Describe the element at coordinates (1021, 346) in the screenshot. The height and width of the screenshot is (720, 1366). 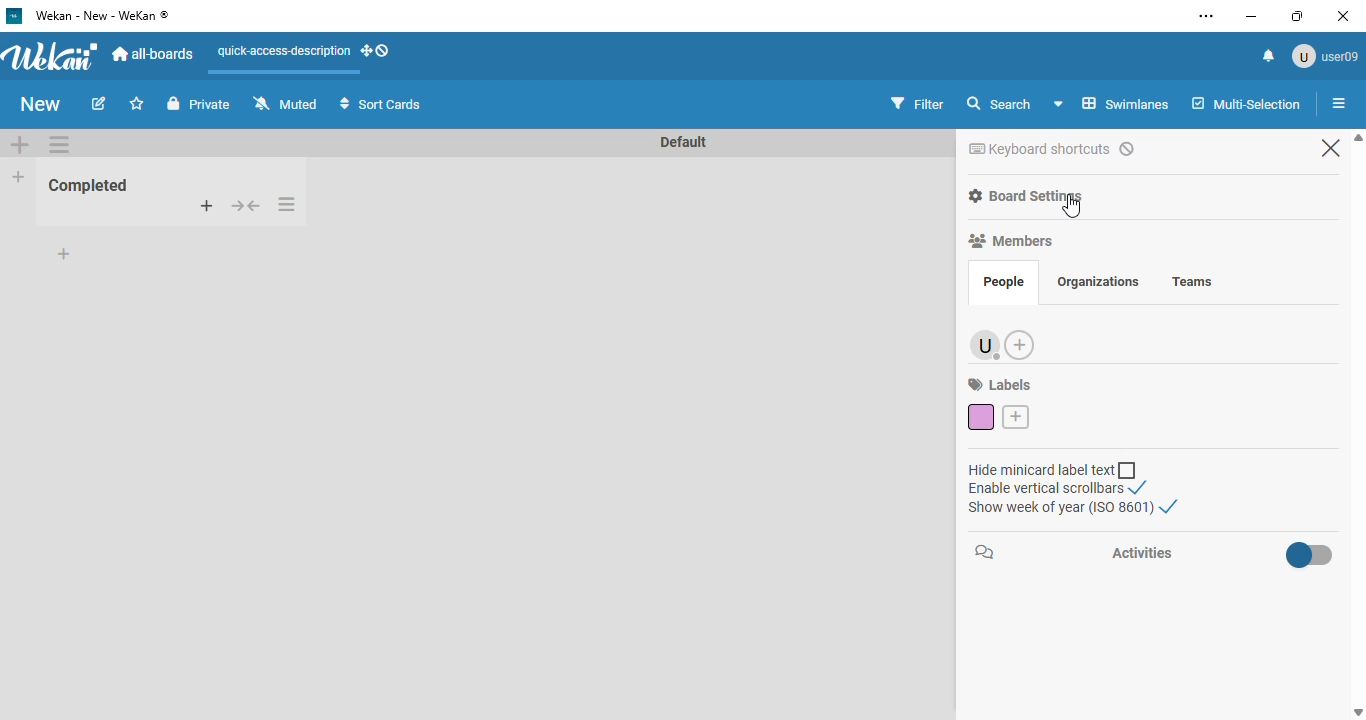
I see `add member` at that location.